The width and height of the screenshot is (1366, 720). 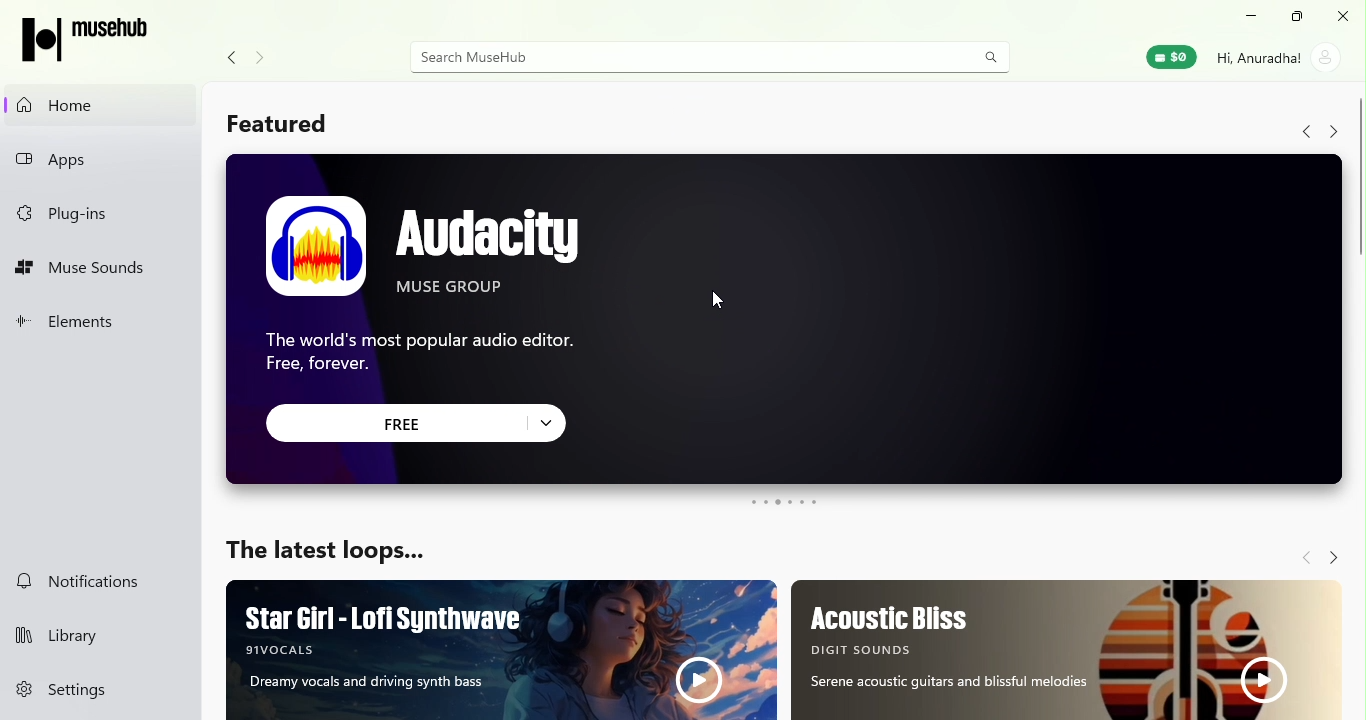 What do you see at coordinates (986, 58) in the screenshot?
I see `Search` at bounding box center [986, 58].